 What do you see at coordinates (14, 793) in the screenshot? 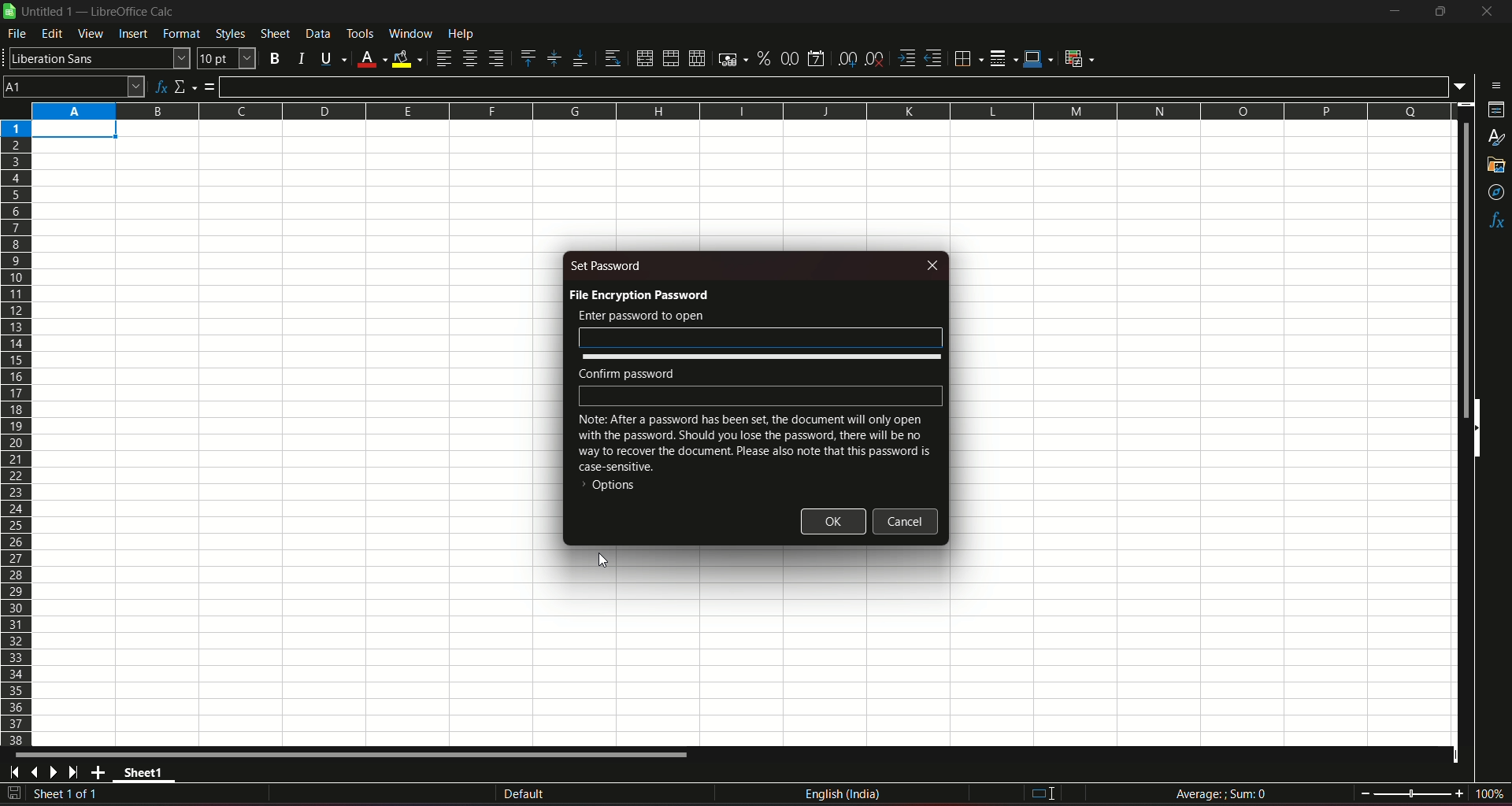
I see `save` at bounding box center [14, 793].